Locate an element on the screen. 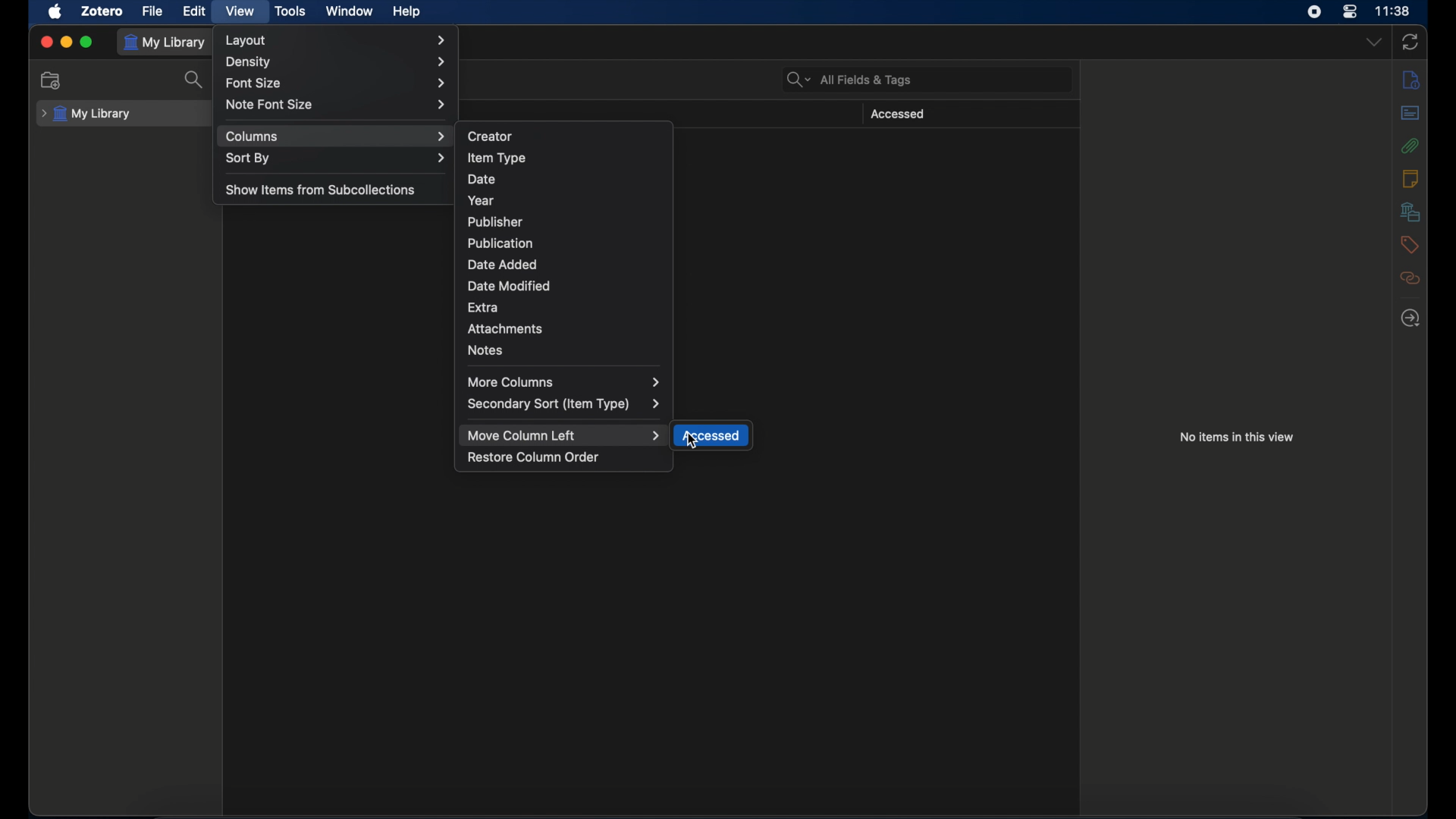 The image size is (1456, 819). more columns is located at coordinates (563, 383).